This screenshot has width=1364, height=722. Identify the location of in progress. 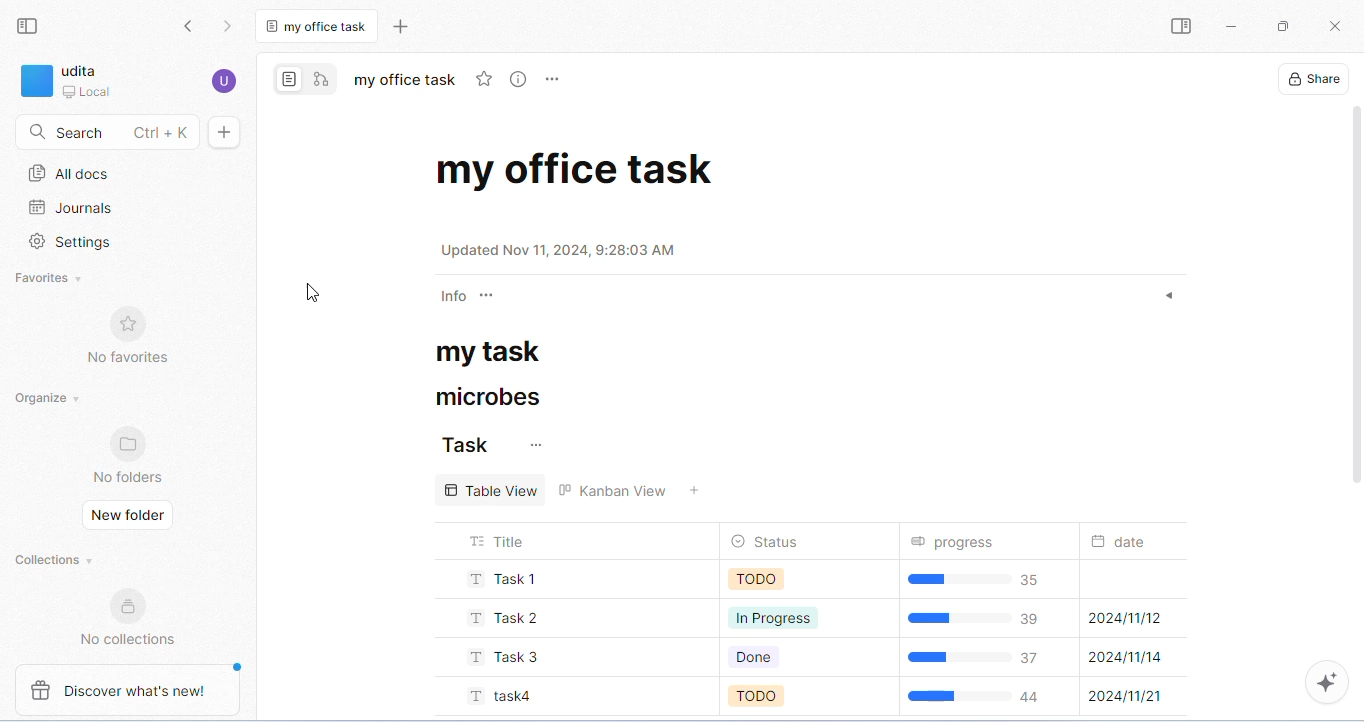
(777, 617).